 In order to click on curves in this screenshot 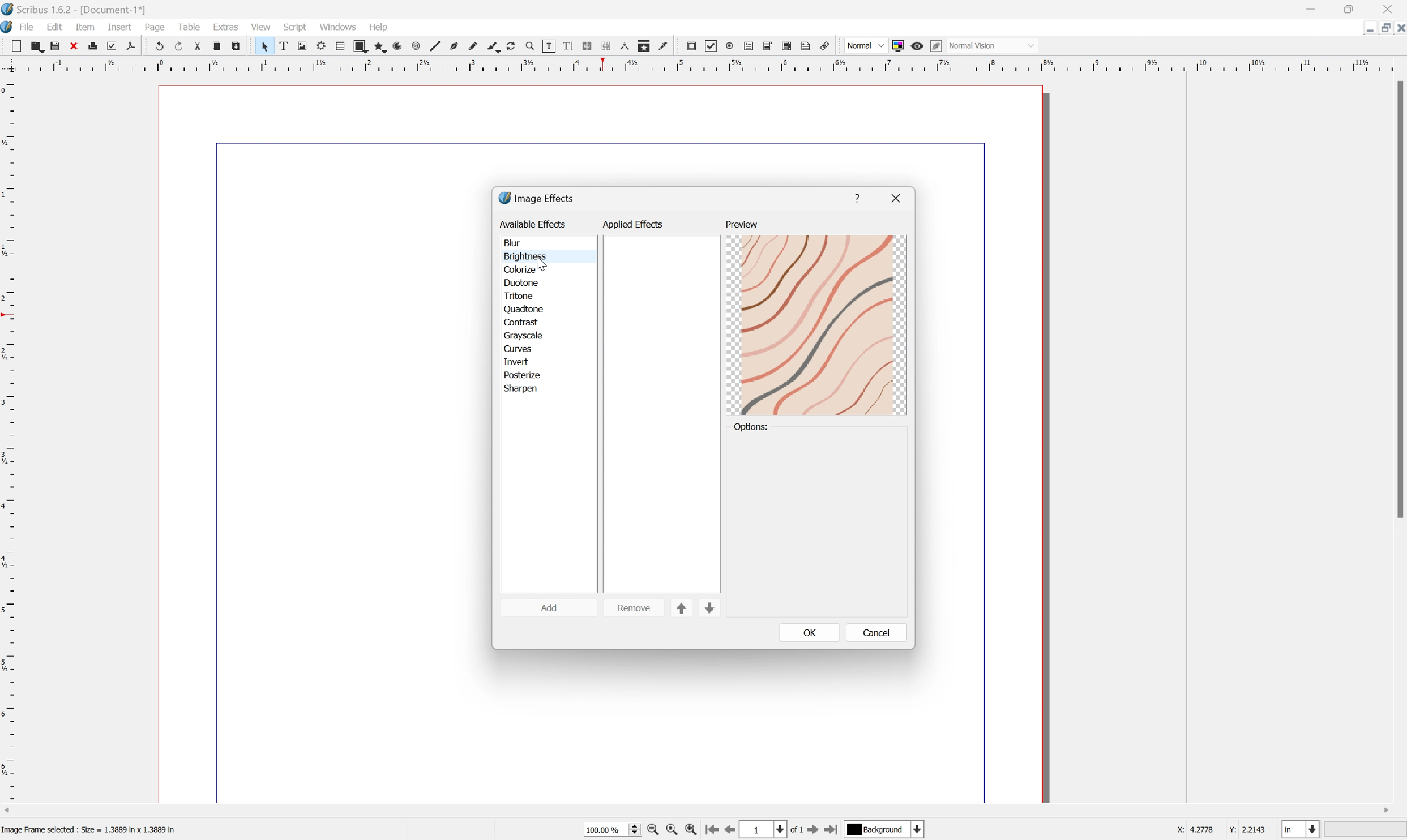, I will do `click(516, 347)`.